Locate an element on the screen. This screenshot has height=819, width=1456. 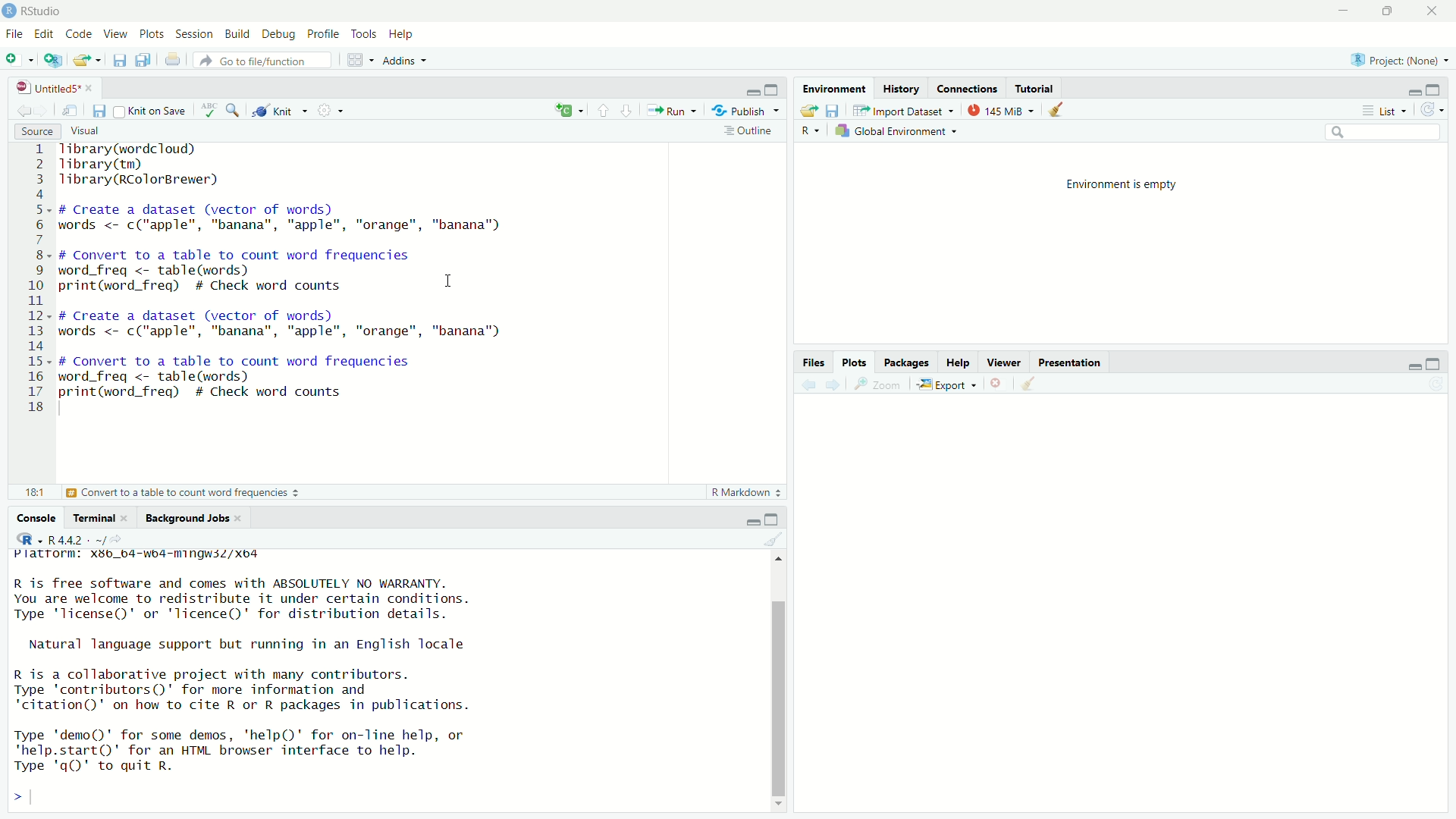
Files is located at coordinates (819, 363).